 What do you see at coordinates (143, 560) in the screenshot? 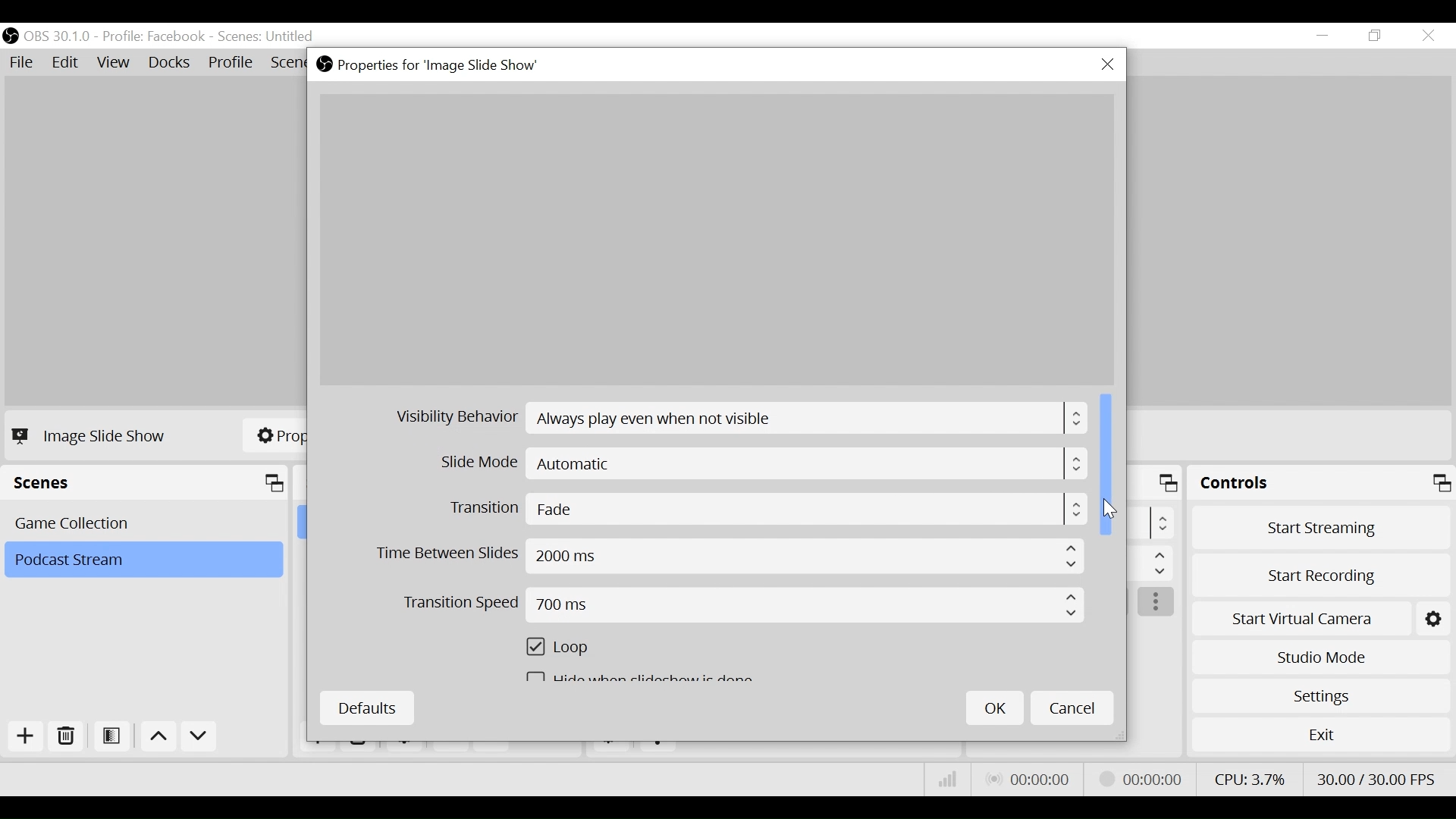
I see `Scene ` at bounding box center [143, 560].